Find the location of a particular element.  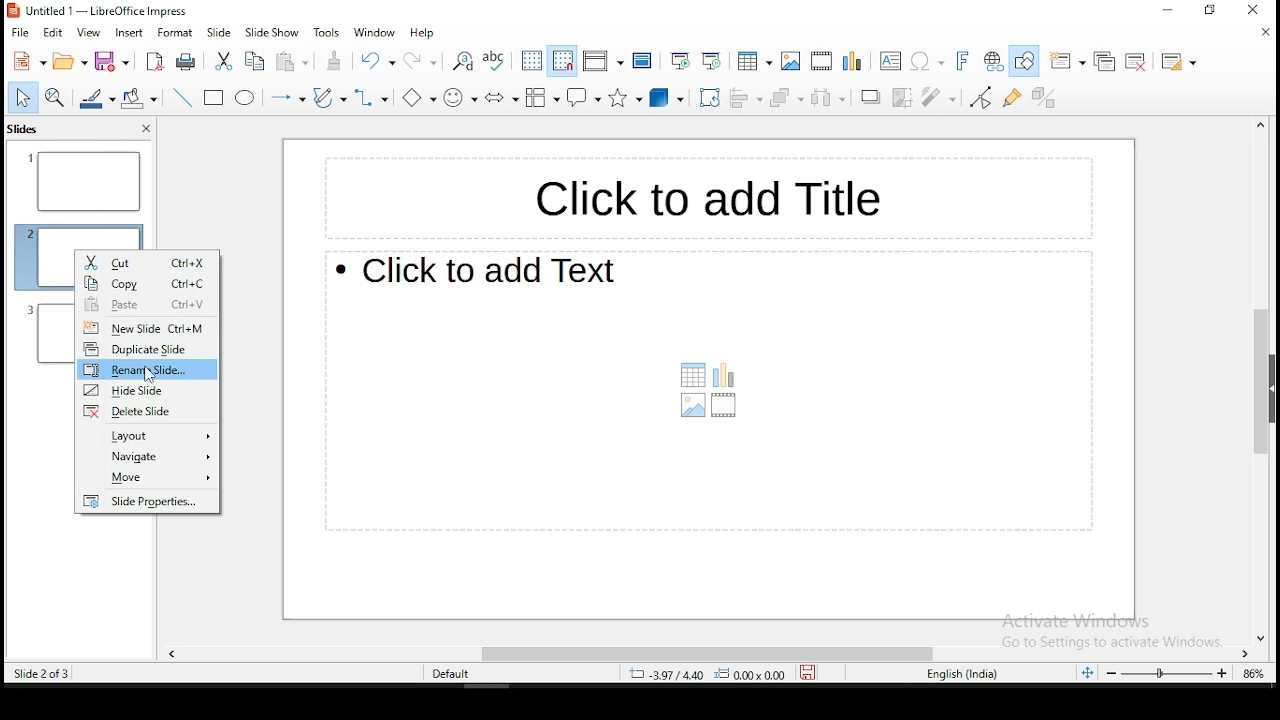

save is located at coordinates (112, 60).